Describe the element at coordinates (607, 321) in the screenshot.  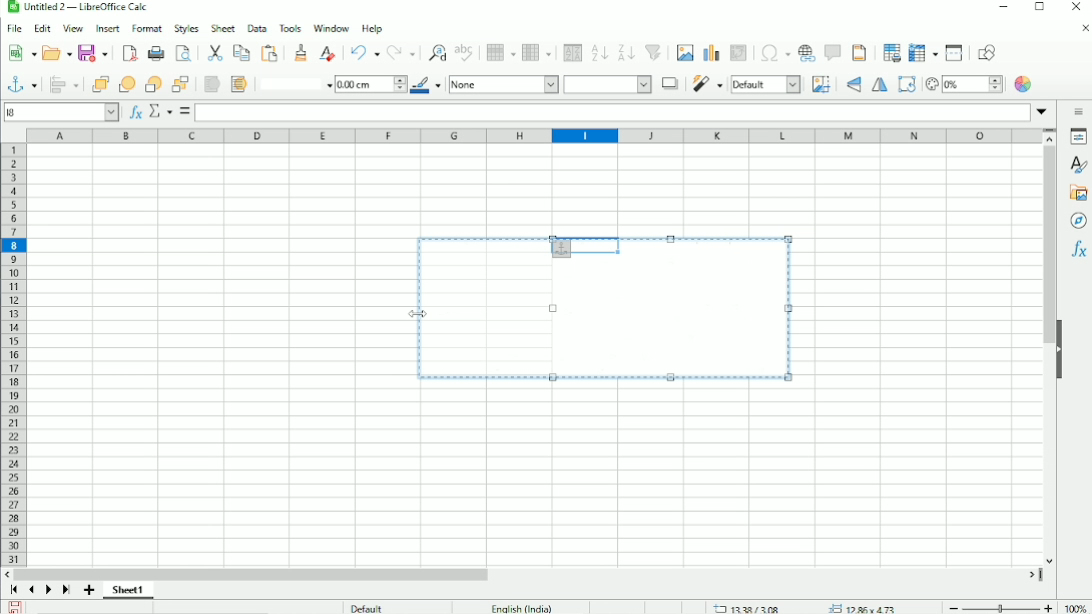
I see `Image Resized` at that location.